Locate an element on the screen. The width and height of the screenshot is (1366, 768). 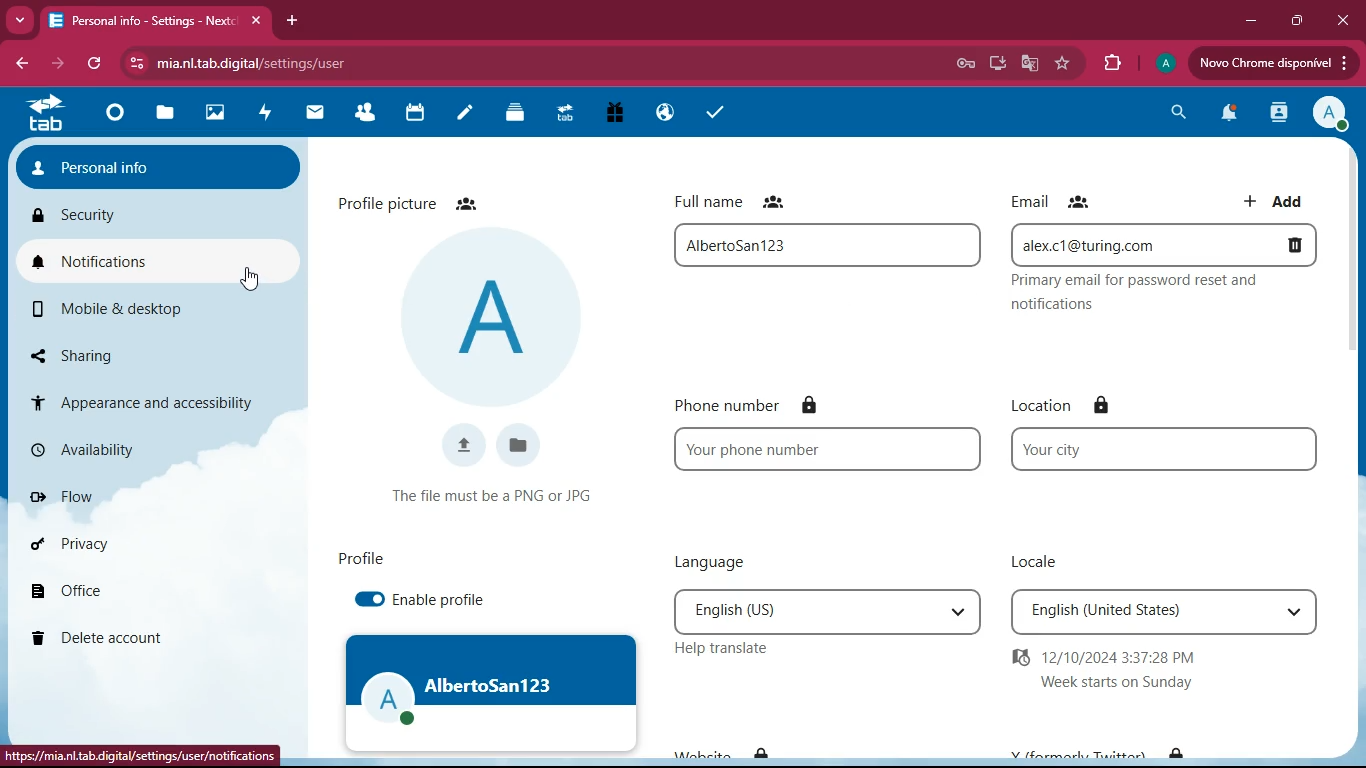
help is located at coordinates (742, 651).